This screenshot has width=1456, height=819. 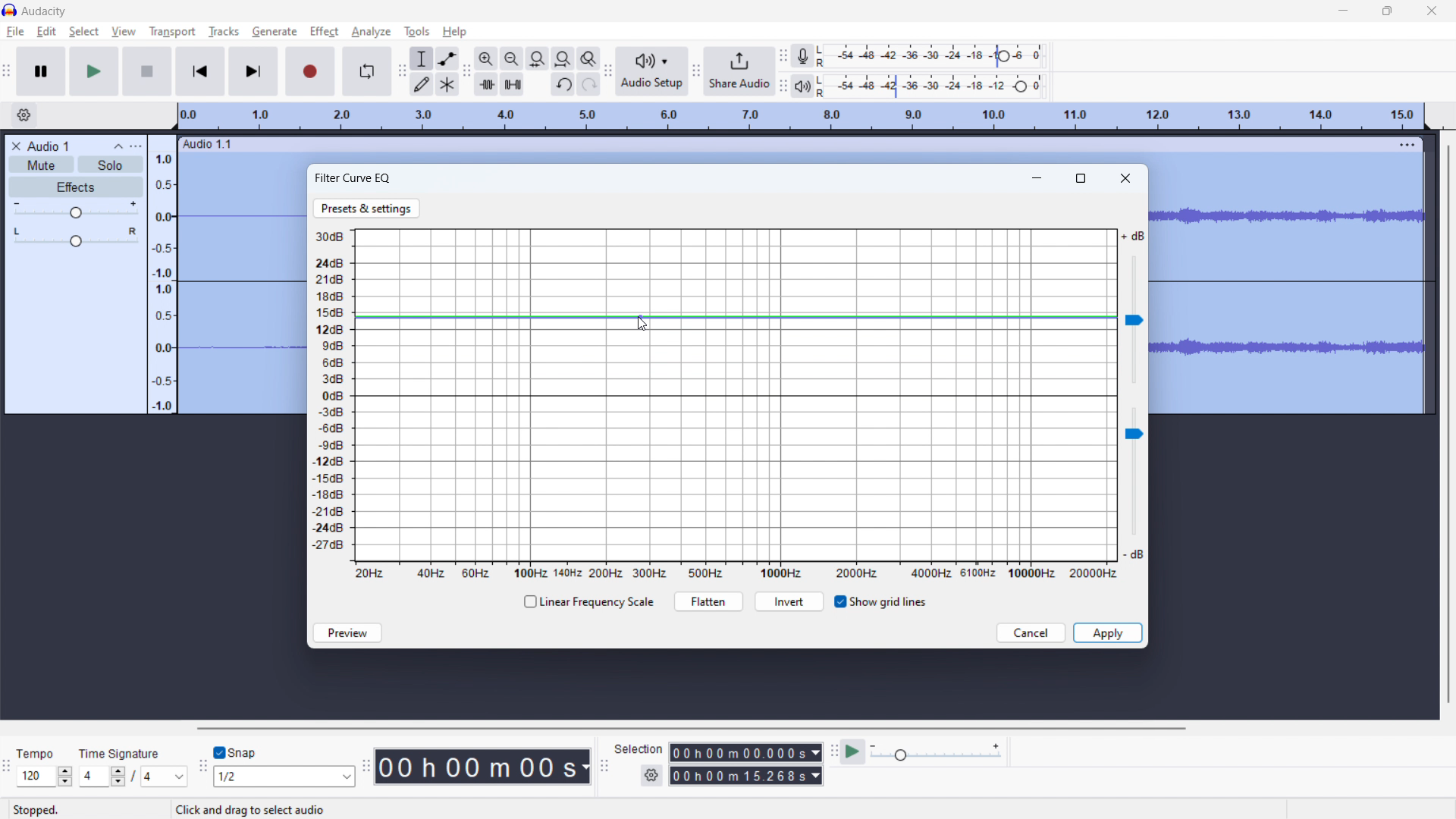 What do you see at coordinates (16, 32) in the screenshot?
I see `file` at bounding box center [16, 32].